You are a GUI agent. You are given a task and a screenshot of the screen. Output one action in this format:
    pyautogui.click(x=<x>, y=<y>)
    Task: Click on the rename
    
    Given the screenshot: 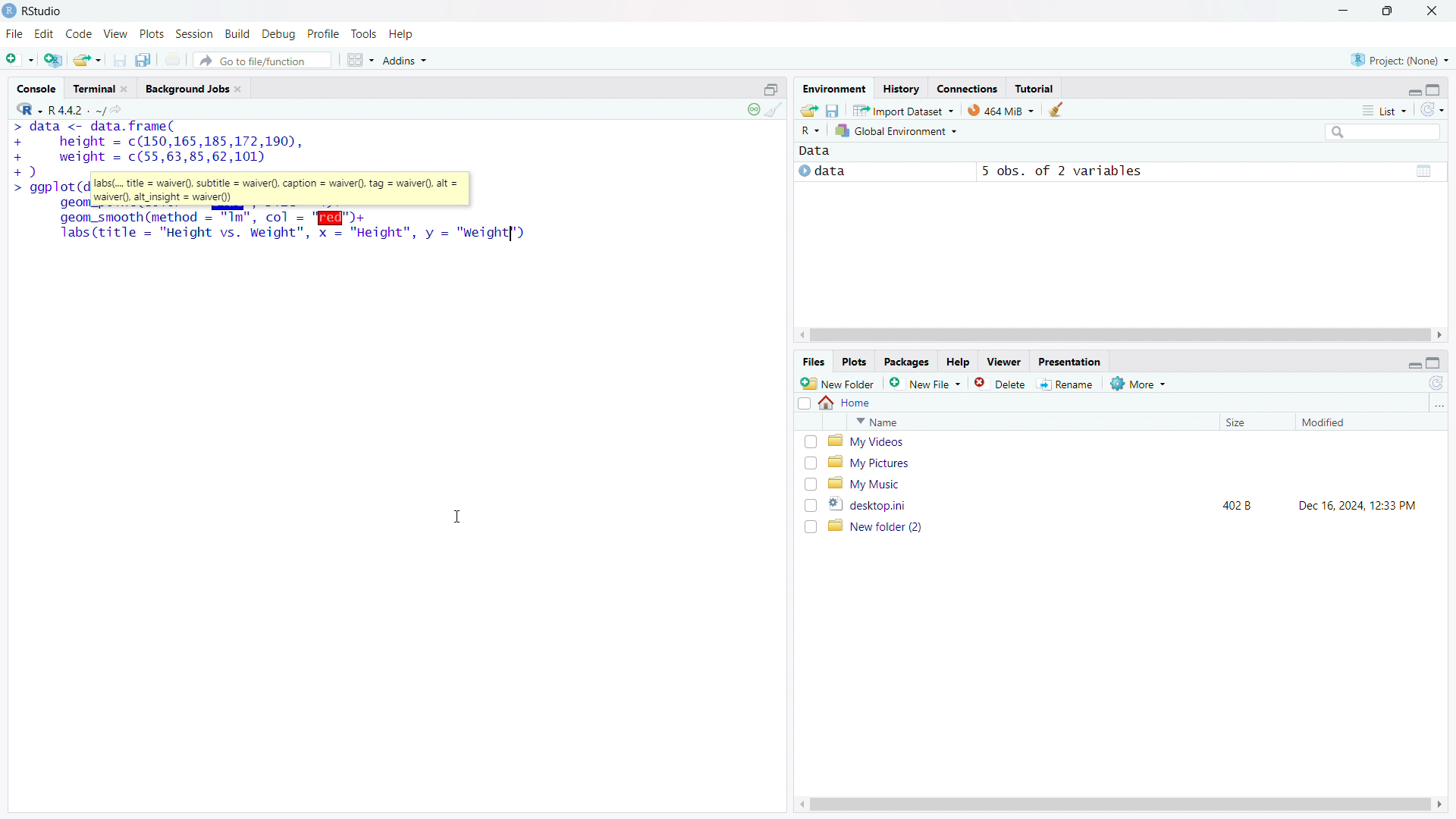 What is the action you would take?
    pyautogui.click(x=1068, y=384)
    